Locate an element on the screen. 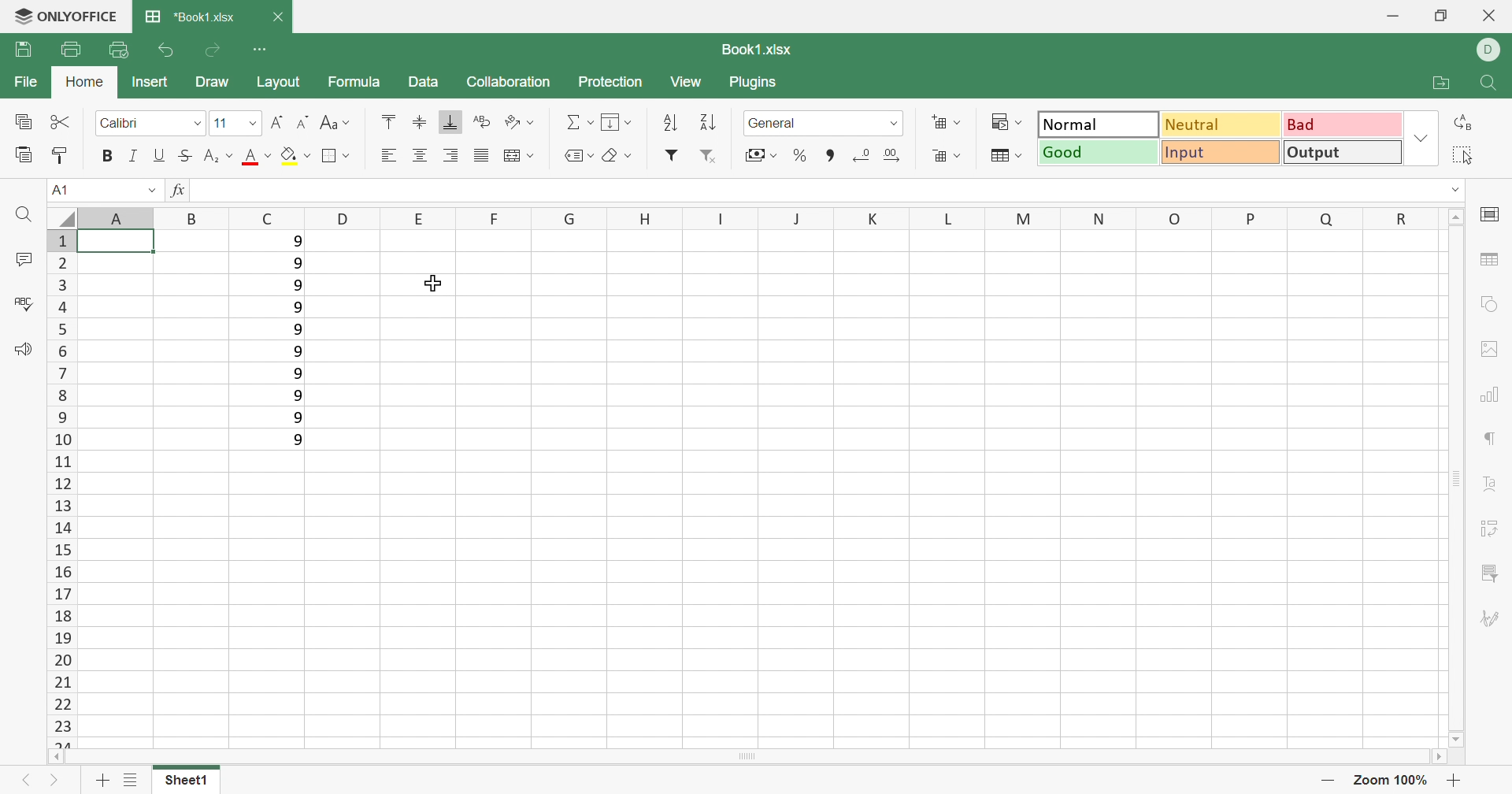 This screenshot has width=1512, height=794. Find is located at coordinates (21, 217).